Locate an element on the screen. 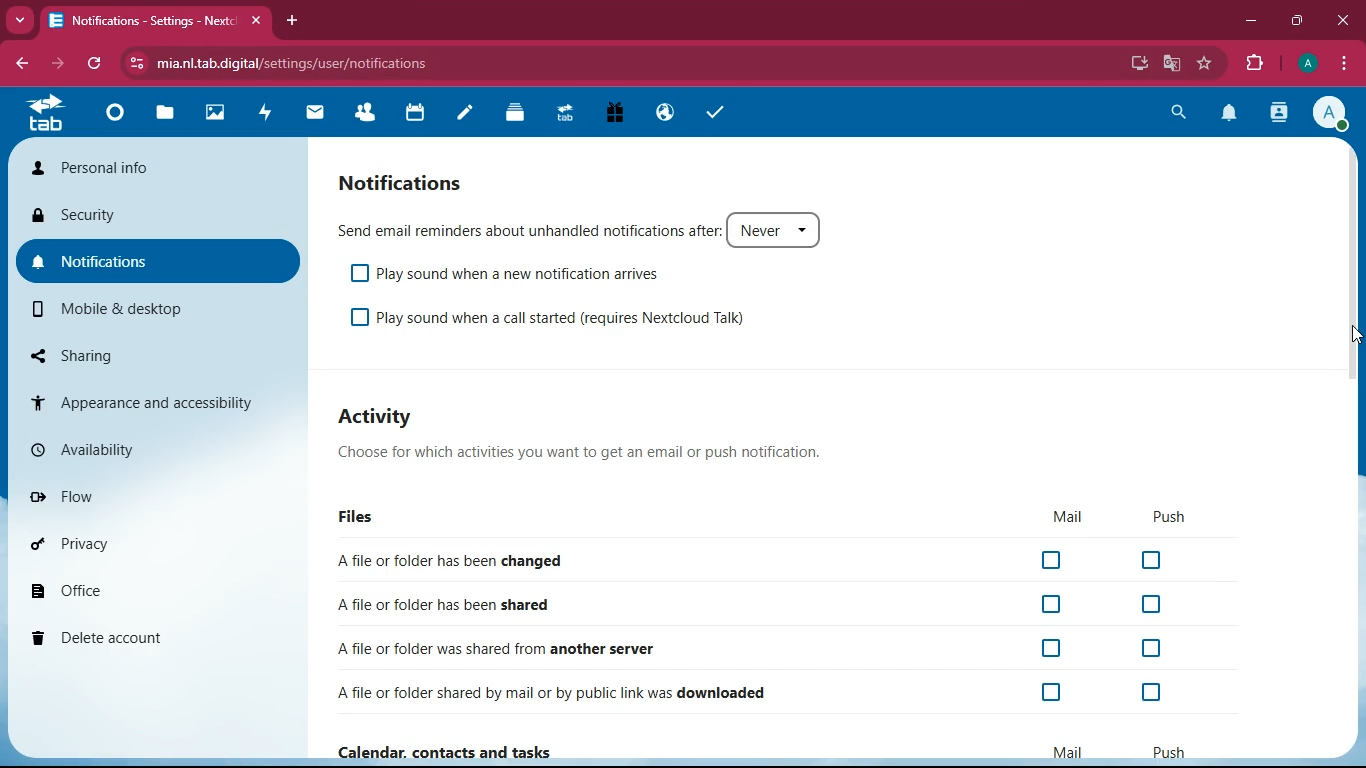  Calendar. contacts and tasks is located at coordinates (479, 752).